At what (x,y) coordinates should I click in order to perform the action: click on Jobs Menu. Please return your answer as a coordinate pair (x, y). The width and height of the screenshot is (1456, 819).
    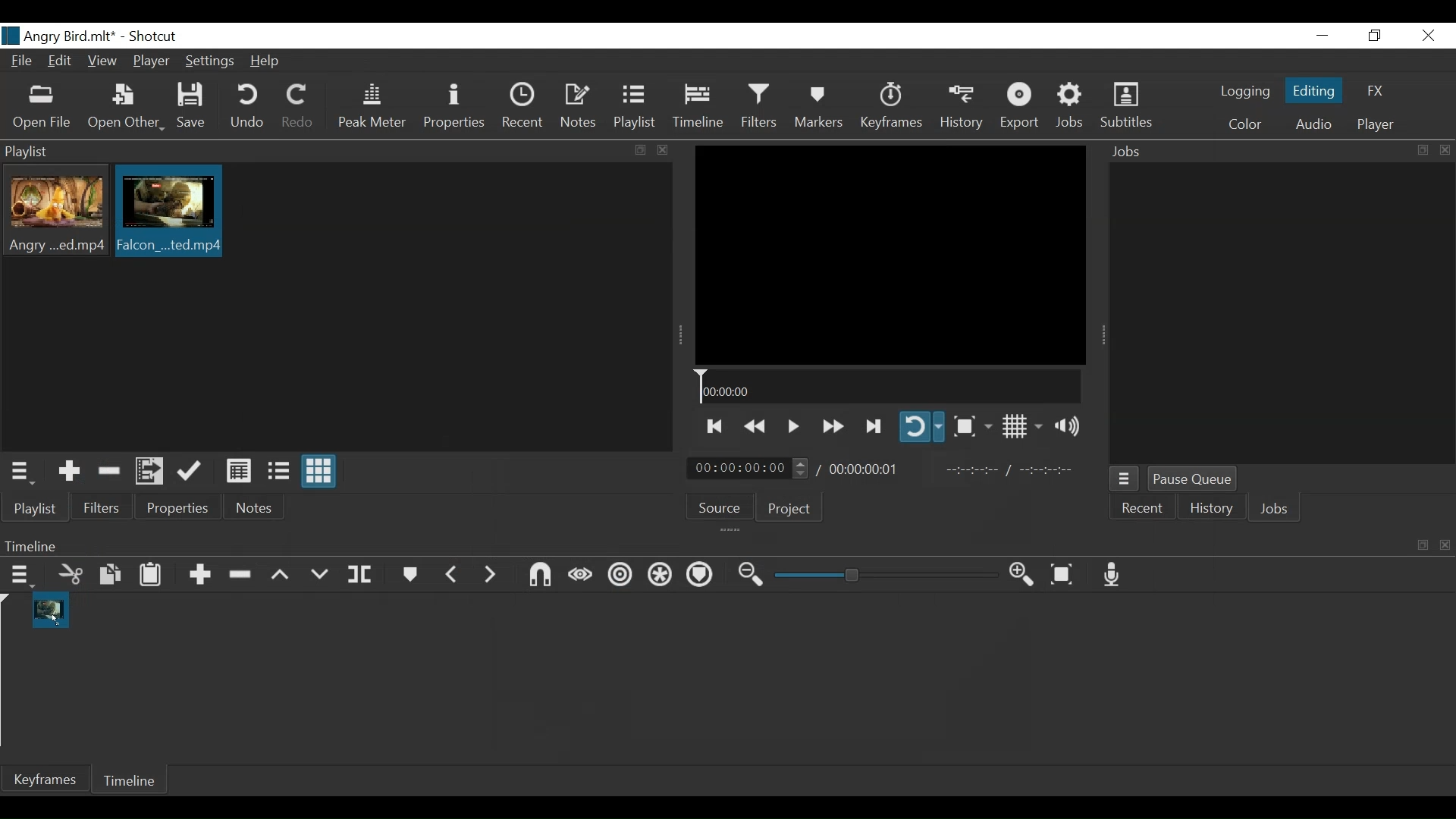
    Looking at the image, I should click on (1122, 480).